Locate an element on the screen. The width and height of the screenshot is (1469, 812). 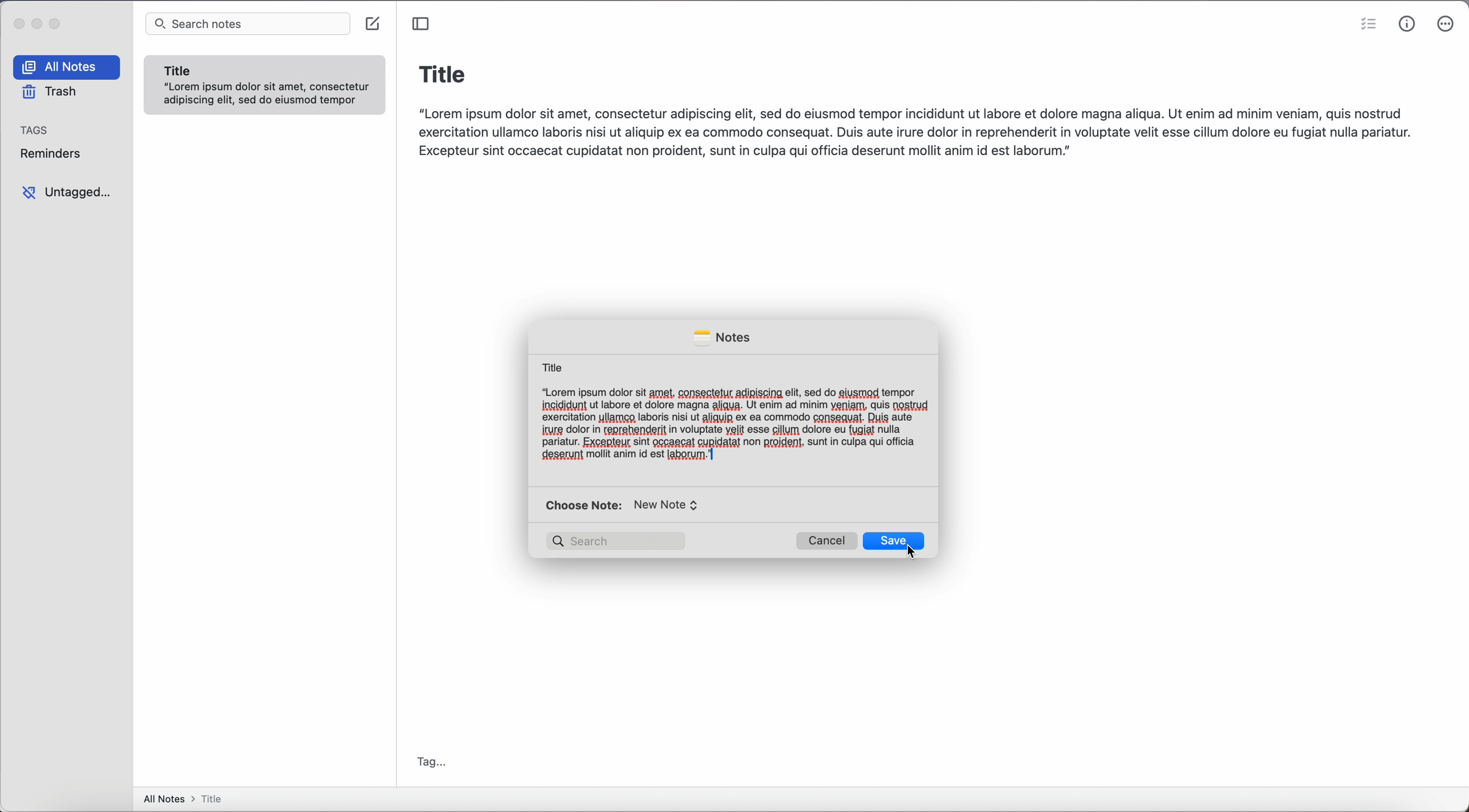
toggle sidebar is located at coordinates (420, 23).